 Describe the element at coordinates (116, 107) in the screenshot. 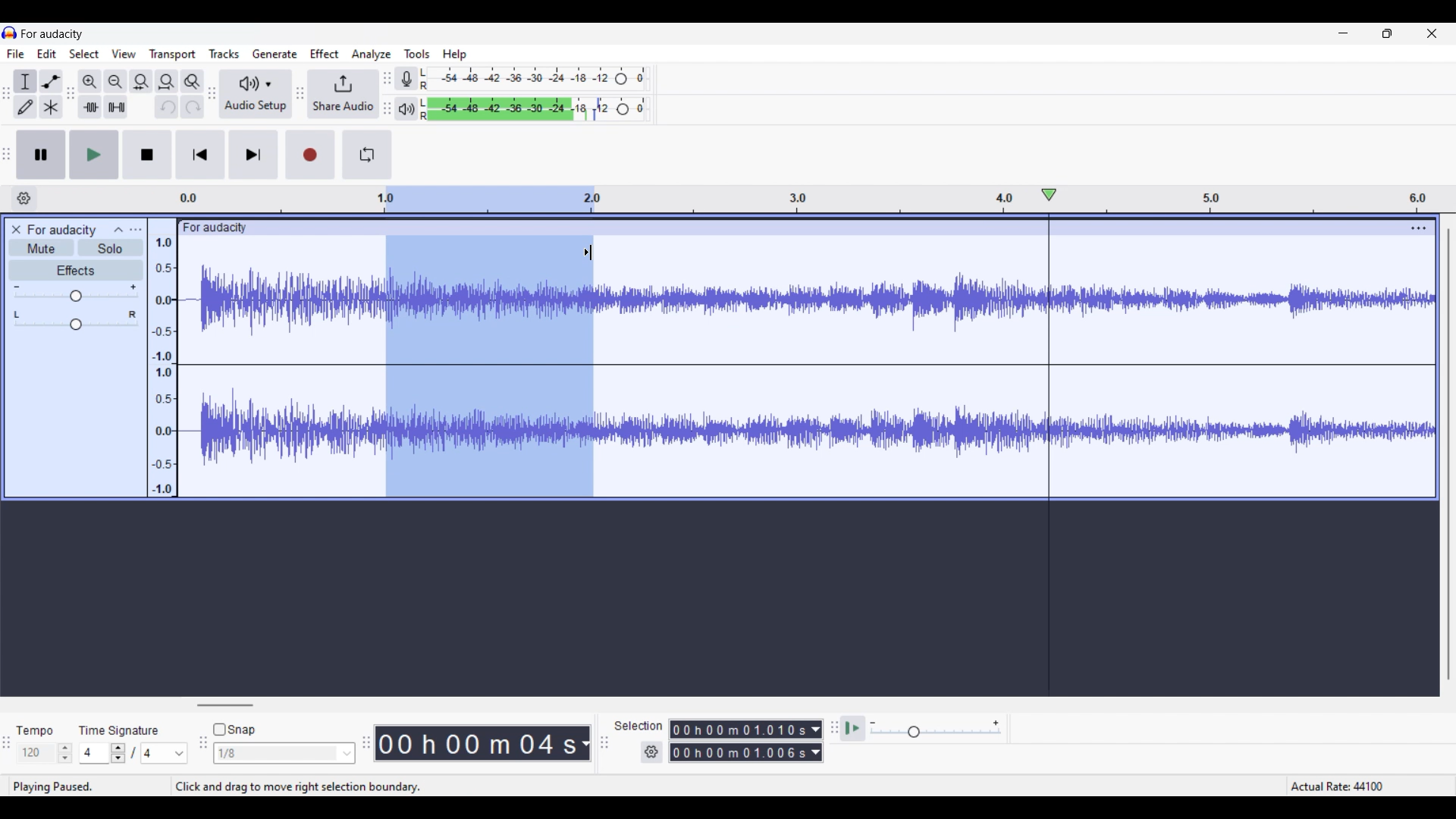

I see `Silence audio selection` at that location.